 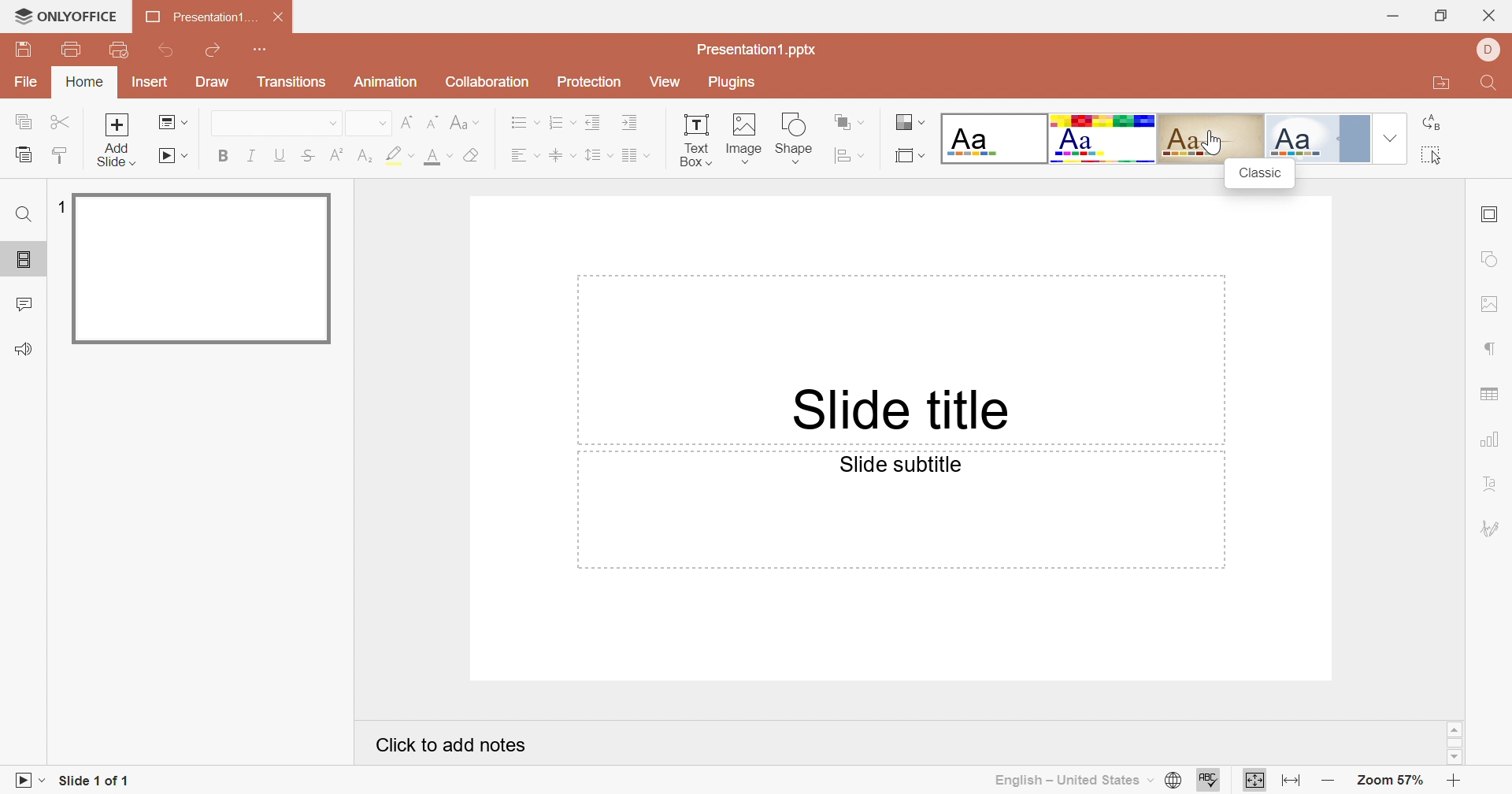 What do you see at coordinates (902, 121) in the screenshot?
I see `Change color theme` at bounding box center [902, 121].